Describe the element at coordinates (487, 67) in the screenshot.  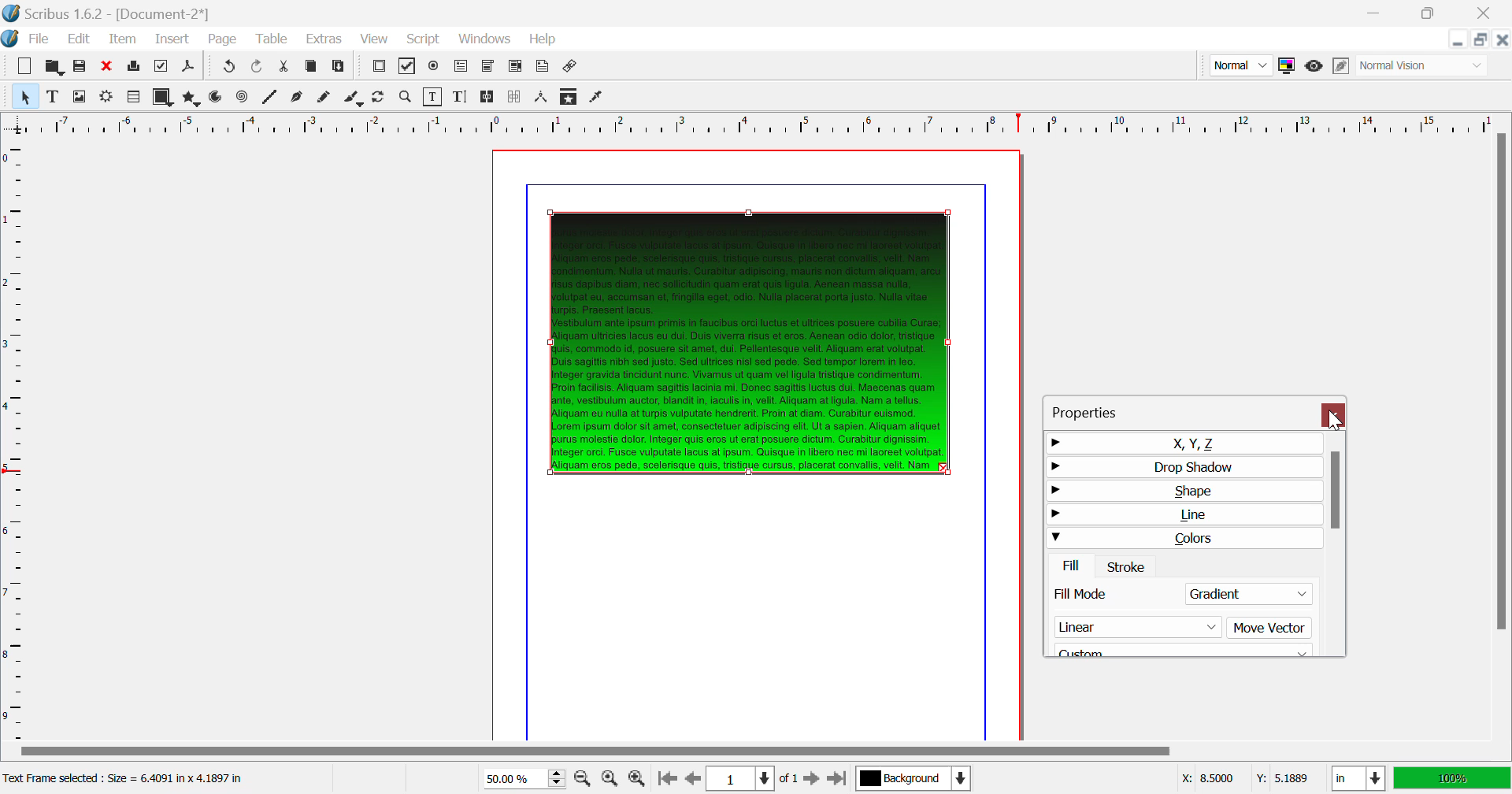
I see `Pdf Combo Box` at that location.